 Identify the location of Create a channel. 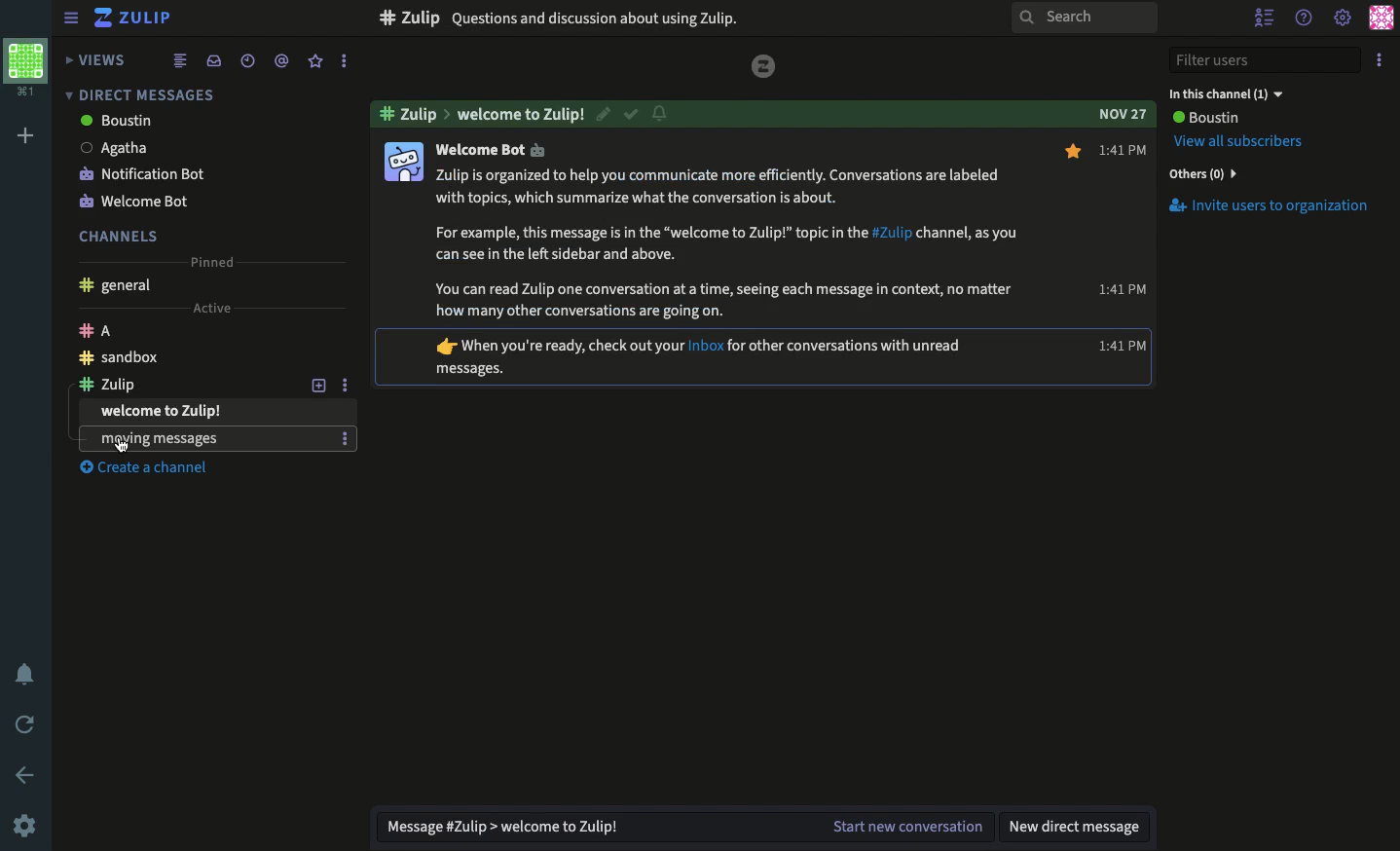
(154, 469).